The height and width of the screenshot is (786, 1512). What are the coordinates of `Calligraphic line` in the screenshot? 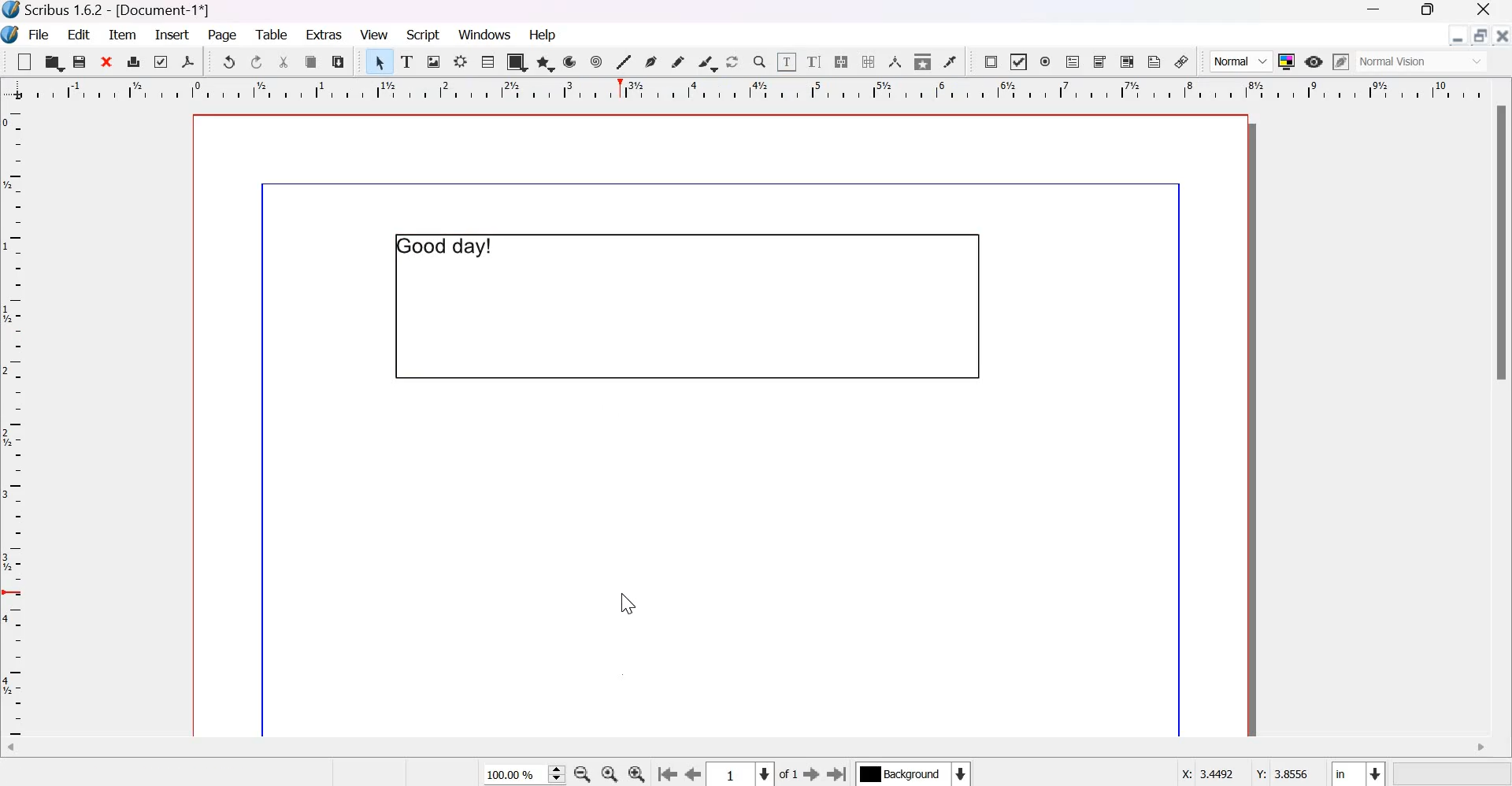 It's located at (707, 61).